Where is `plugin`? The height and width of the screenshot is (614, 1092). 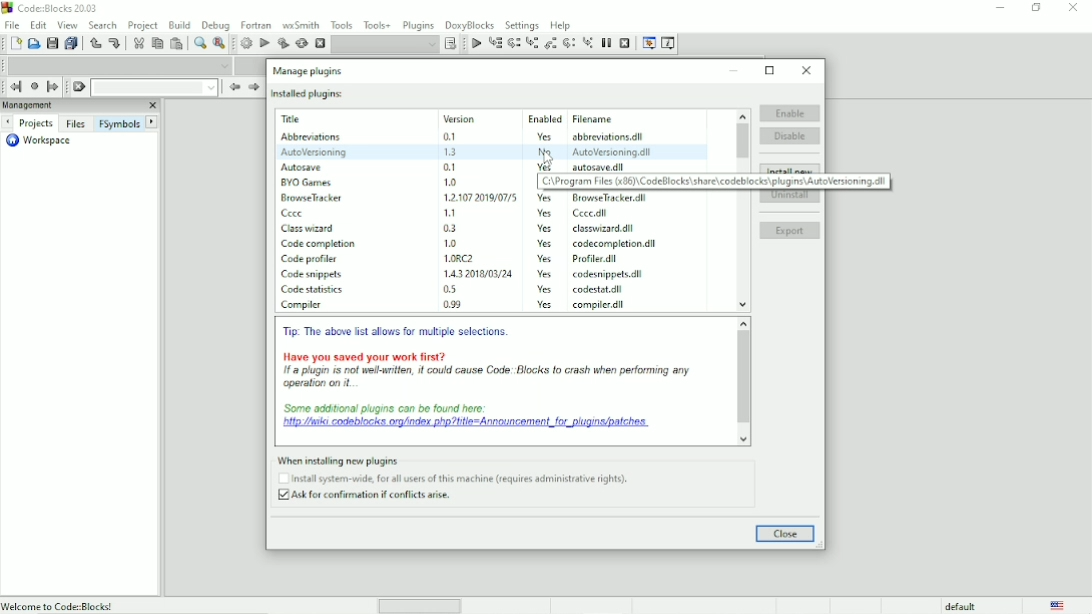 plugin is located at coordinates (313, 137).